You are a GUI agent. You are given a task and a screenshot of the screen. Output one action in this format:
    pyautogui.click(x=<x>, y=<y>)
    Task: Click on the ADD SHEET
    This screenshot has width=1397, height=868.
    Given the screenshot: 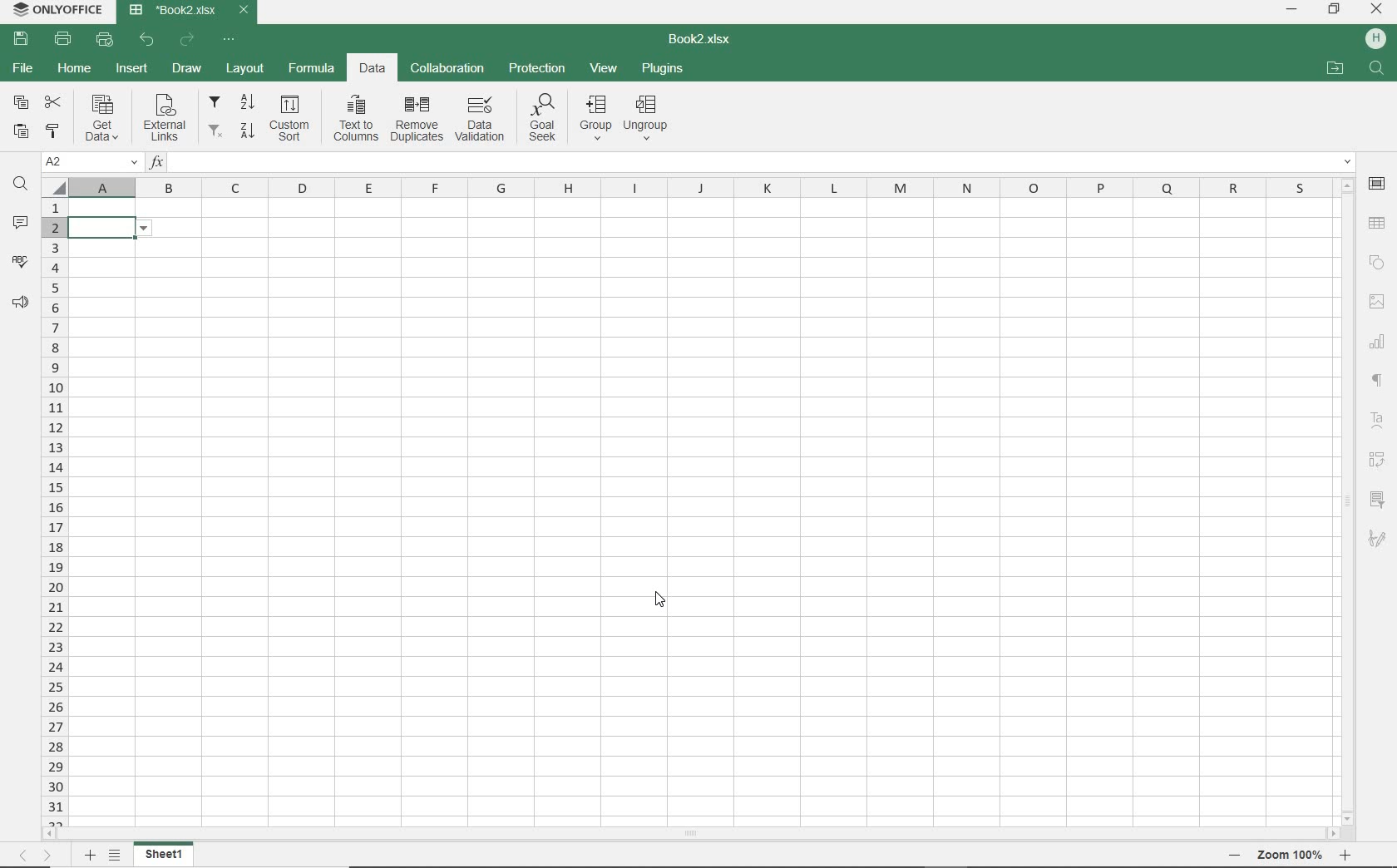 What is the action you would take?
    pyautogui.click(x=90, y=856)
    